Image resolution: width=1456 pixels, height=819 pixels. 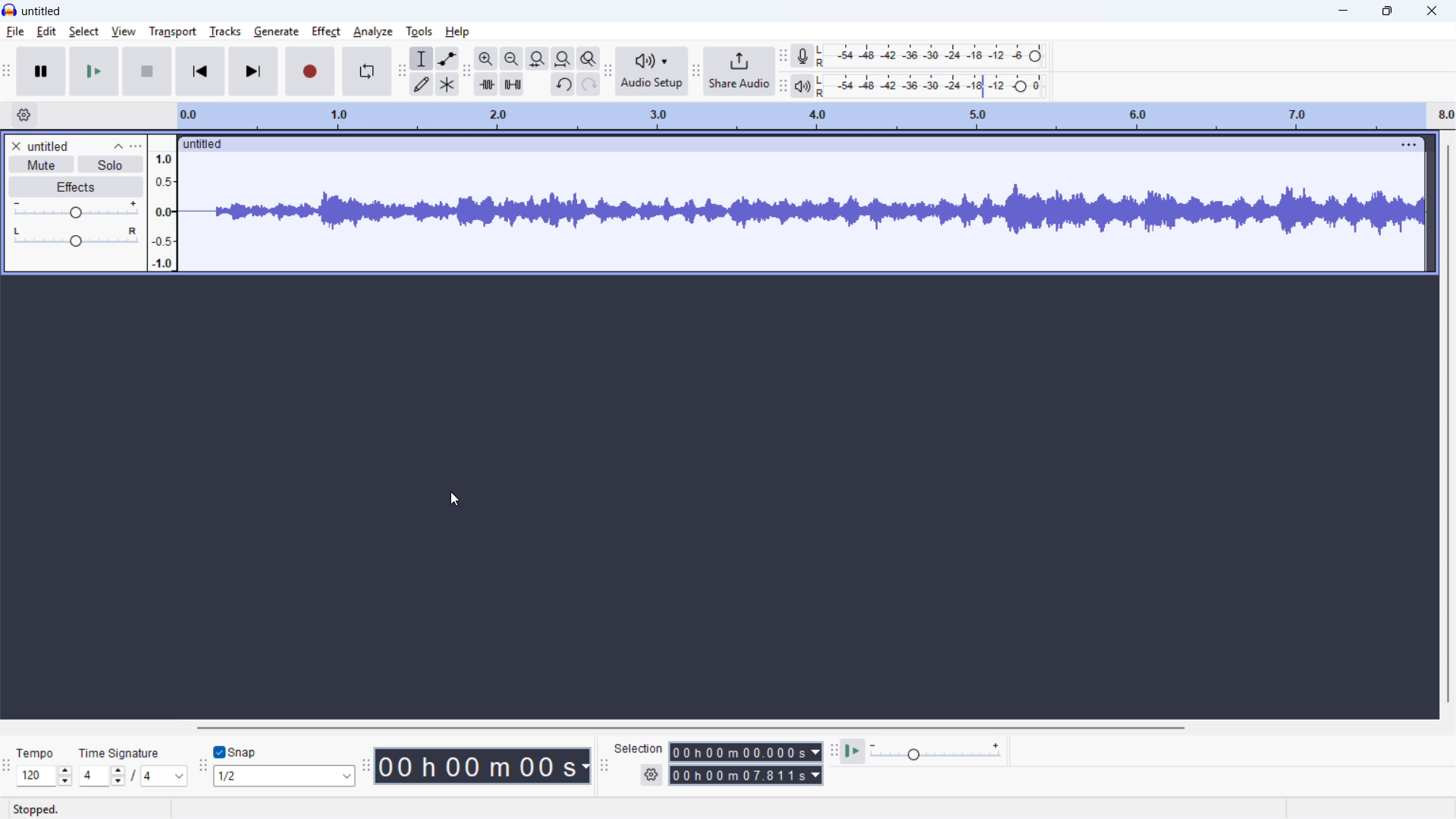 What do you see at coordinates (24, 116) in the screenshot?
I see `timeline settings` at bounding box center [24, 116].